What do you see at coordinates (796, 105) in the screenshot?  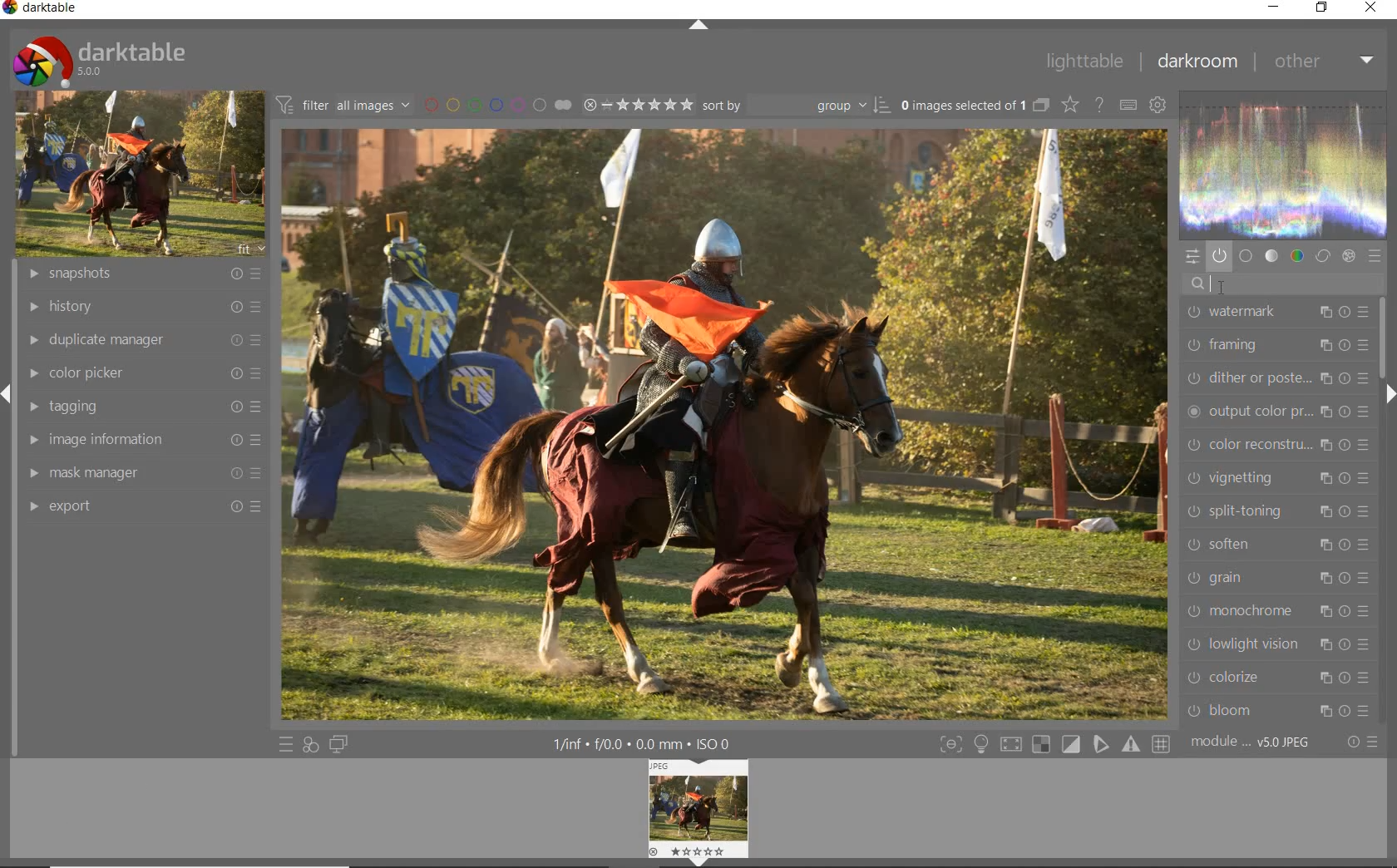 I see `Sort by` at bounding box center [796, 105].